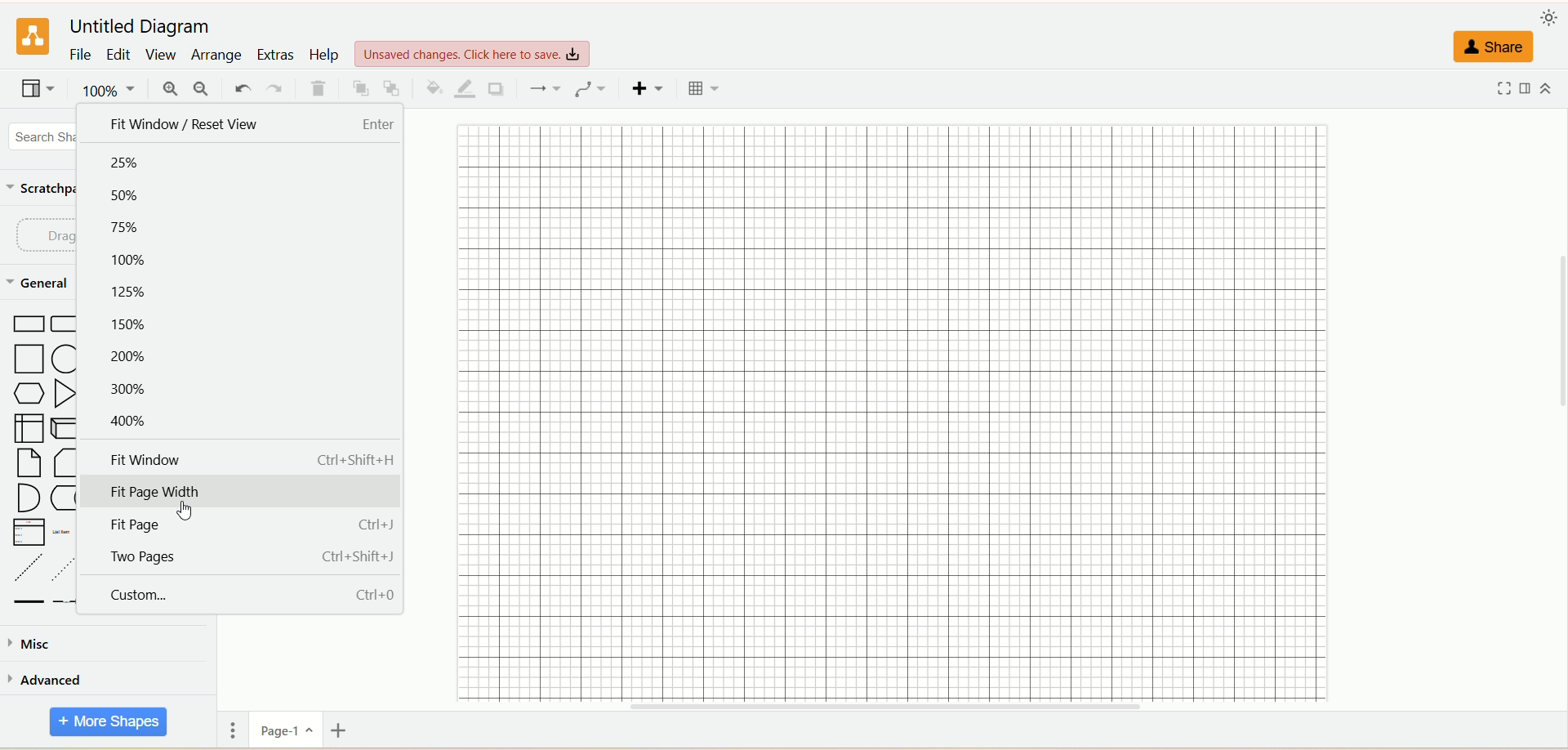 The image size is (1568, 750). Describe the element at coordinates (29, 393) in the screenshot. I see `hexagon` at that location.